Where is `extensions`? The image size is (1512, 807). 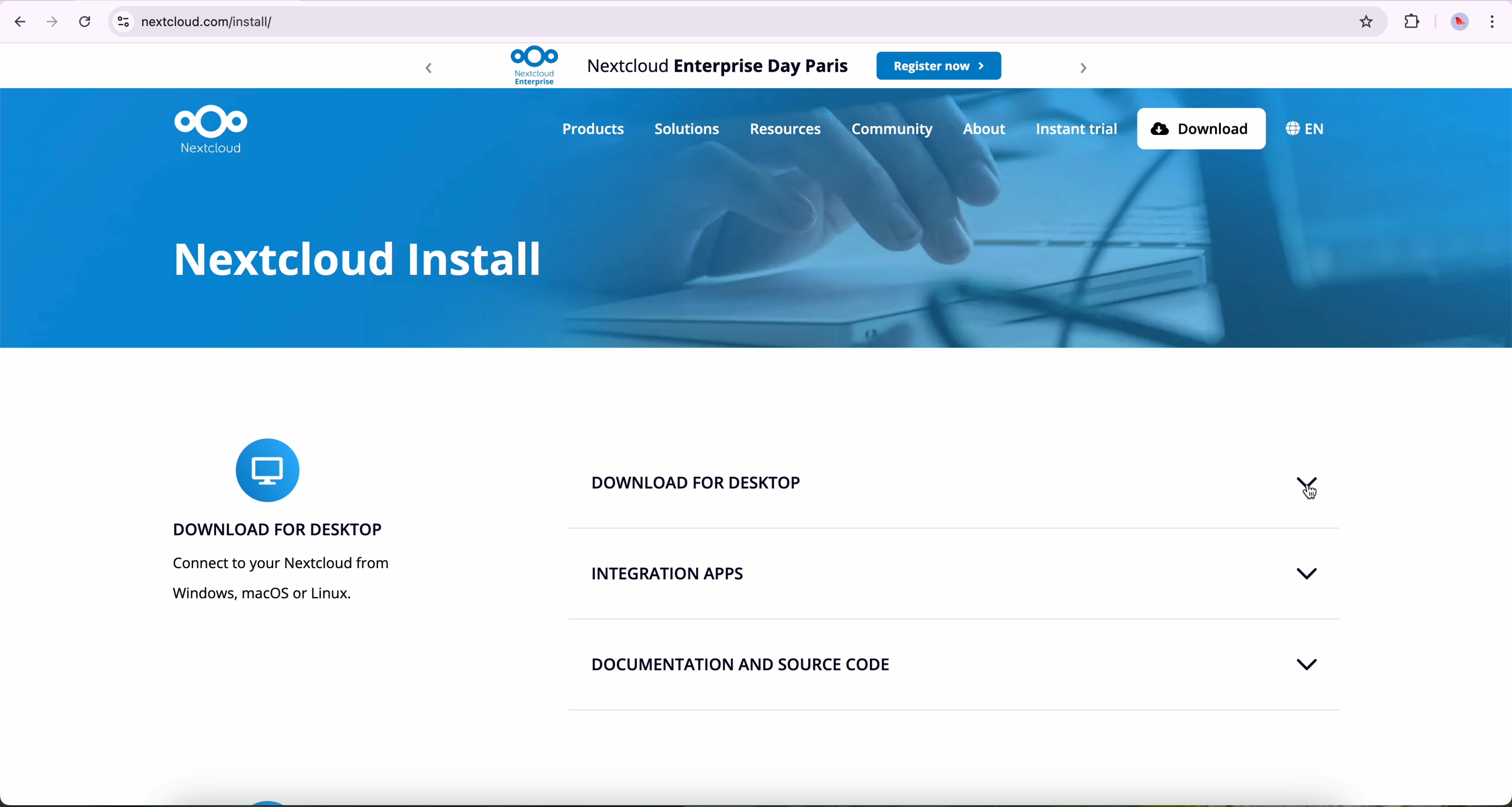
extensions is located at coordinates (1413, 22).